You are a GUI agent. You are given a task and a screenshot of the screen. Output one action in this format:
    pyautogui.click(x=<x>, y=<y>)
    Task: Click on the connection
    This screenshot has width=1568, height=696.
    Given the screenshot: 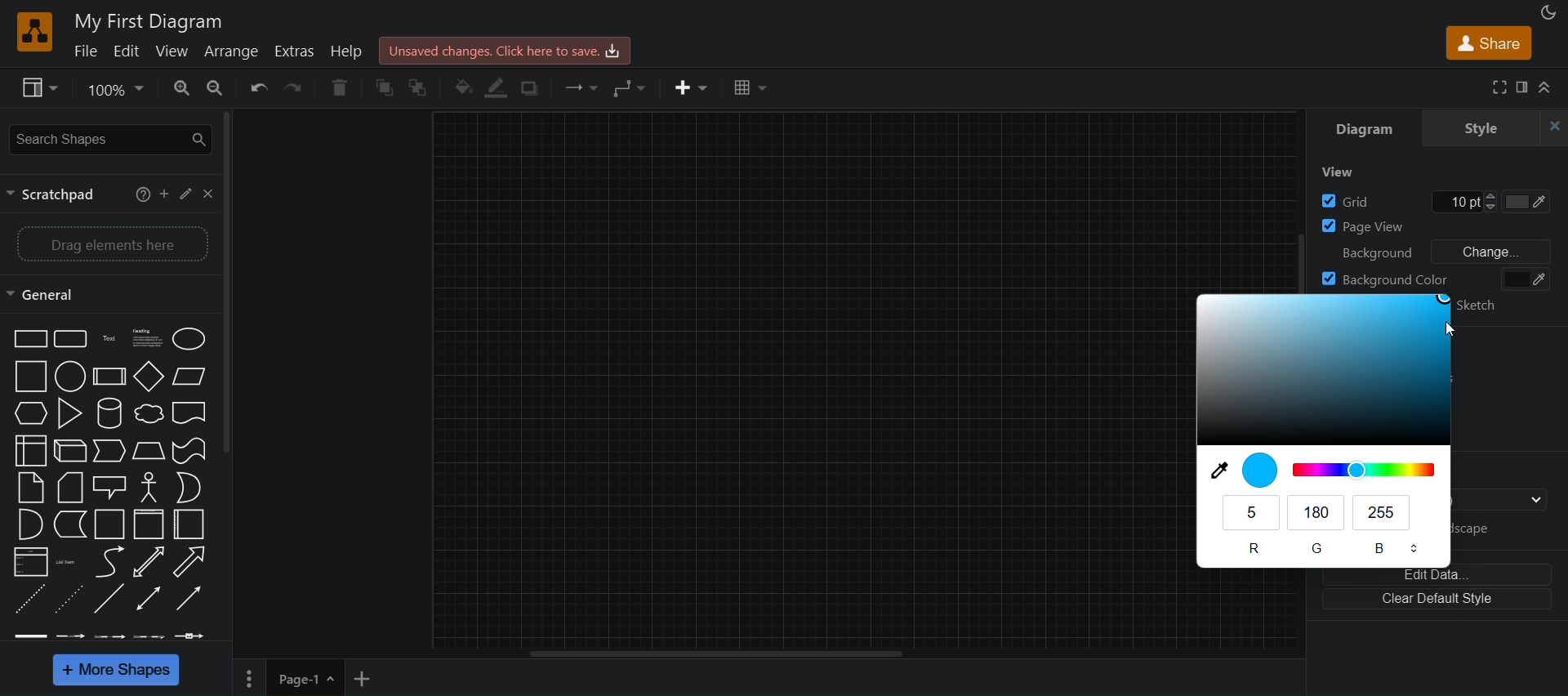 What is the action you would take?
    pyautogui.click(x=581, y=88)
    